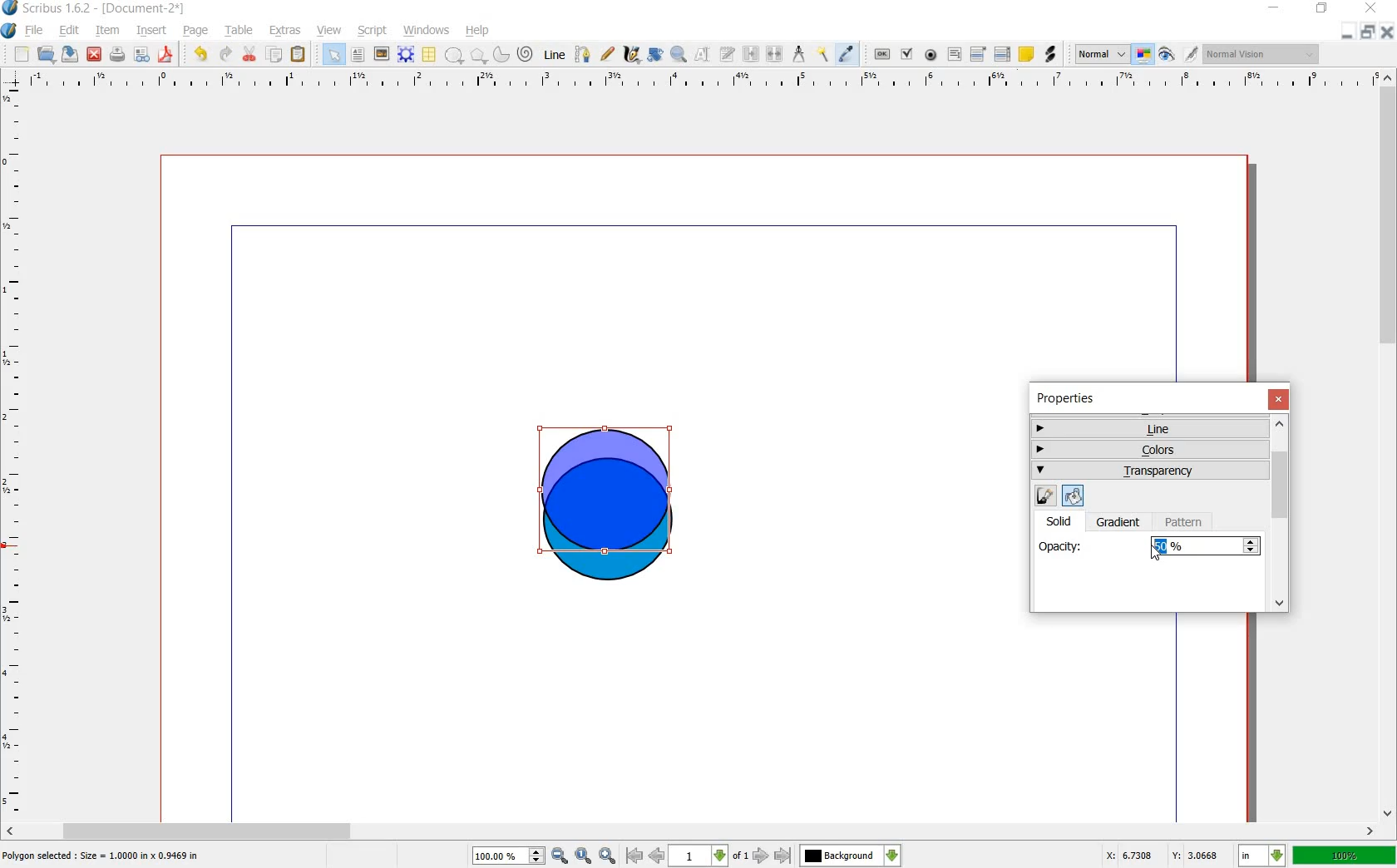 Image resolution: width=1397 pixels, height=868 pixels. I want to click on solid, so click(1065, 520).